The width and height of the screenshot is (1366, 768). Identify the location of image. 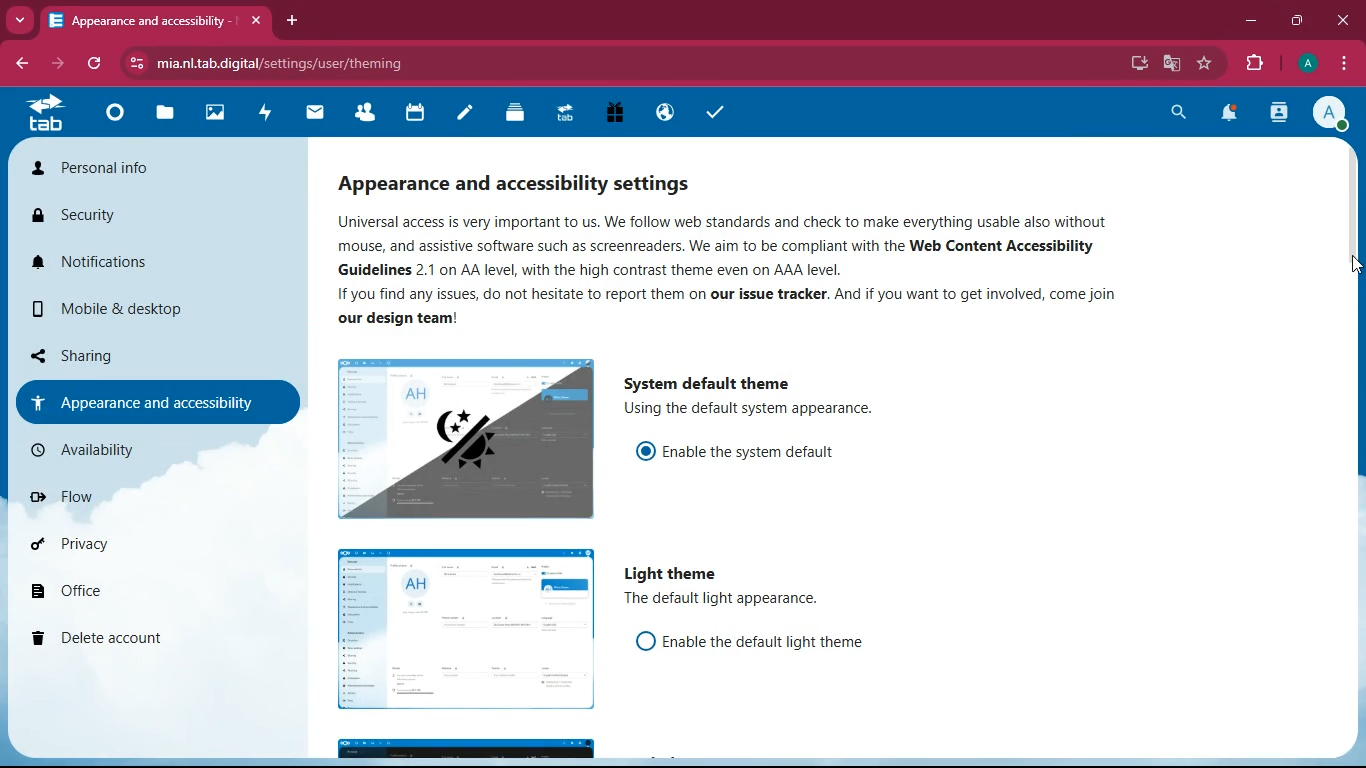
(461, 440).